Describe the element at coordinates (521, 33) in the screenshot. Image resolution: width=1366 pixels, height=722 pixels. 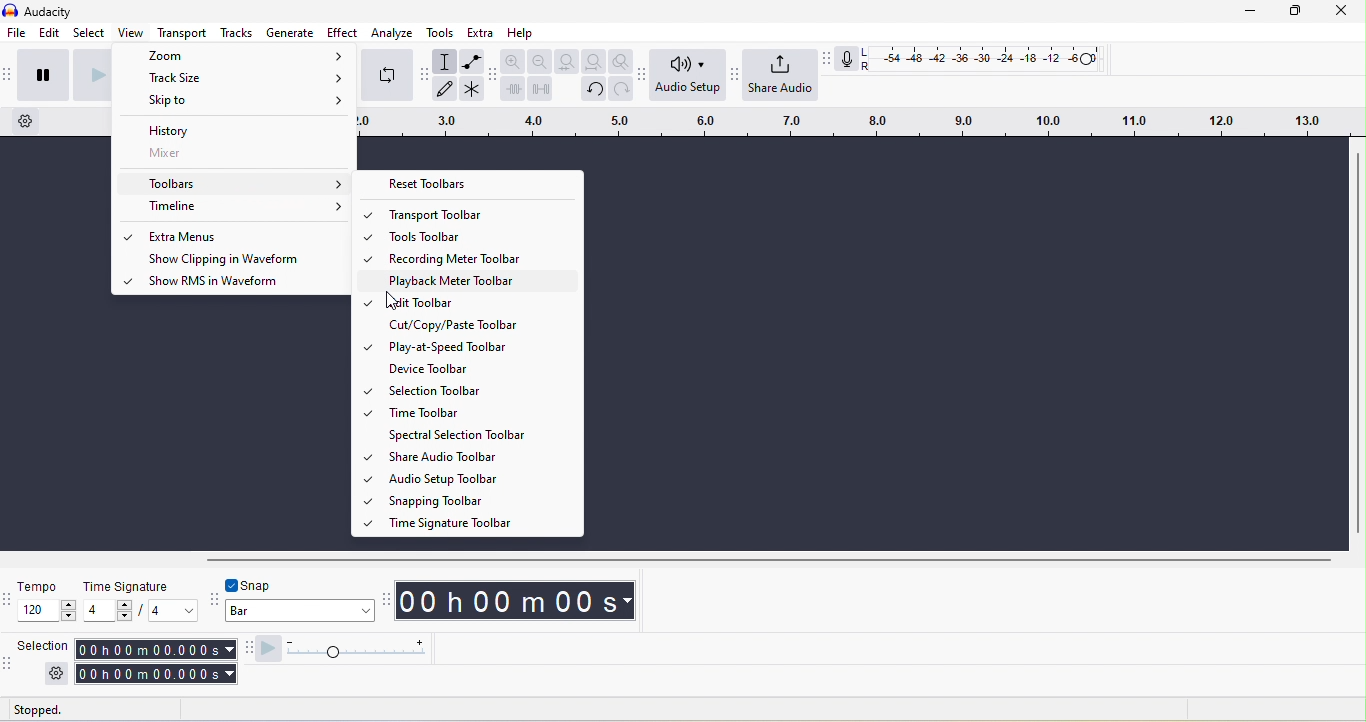
I see `help` at that location.